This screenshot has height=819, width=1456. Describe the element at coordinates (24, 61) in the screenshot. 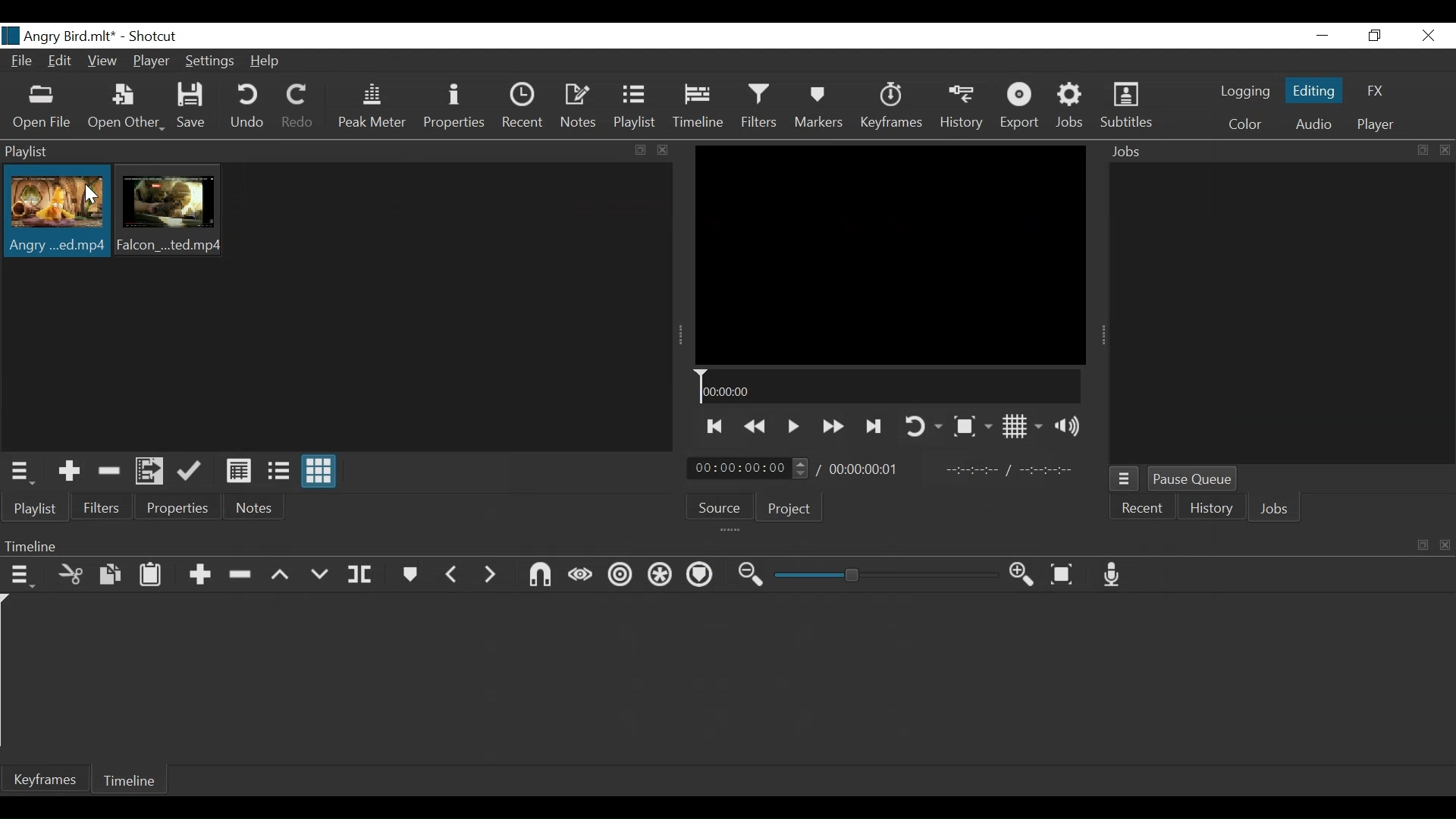

I see `File` at that location.